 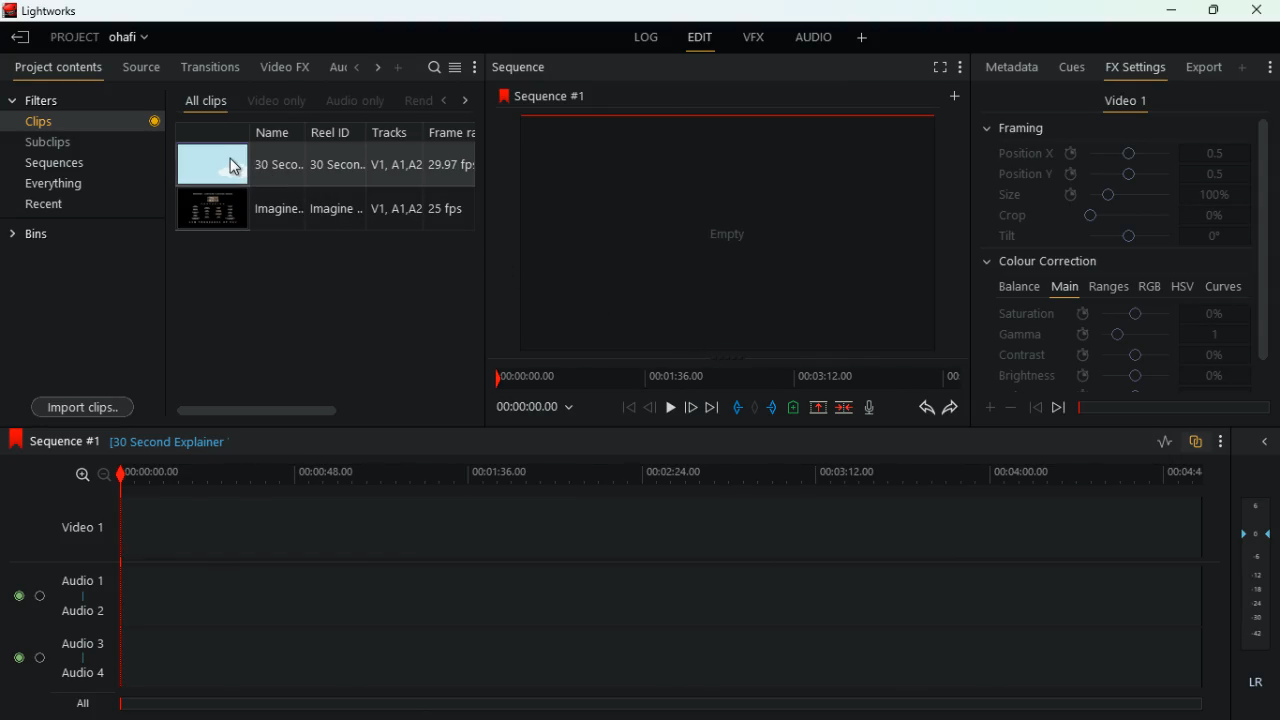 What do you see at coordinates (1113, 377) in the screenshot?
I see `brightness` at bounding box center [1113, 377].